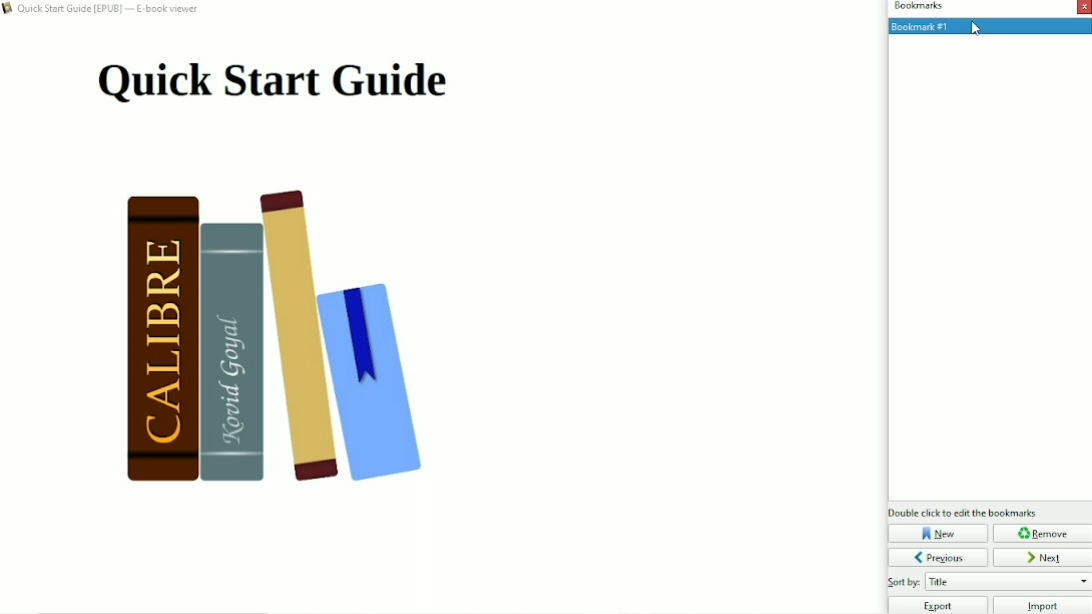 The width and height of the screenshot is (1092, 614). I want to click on Close, so click(1083, 8).